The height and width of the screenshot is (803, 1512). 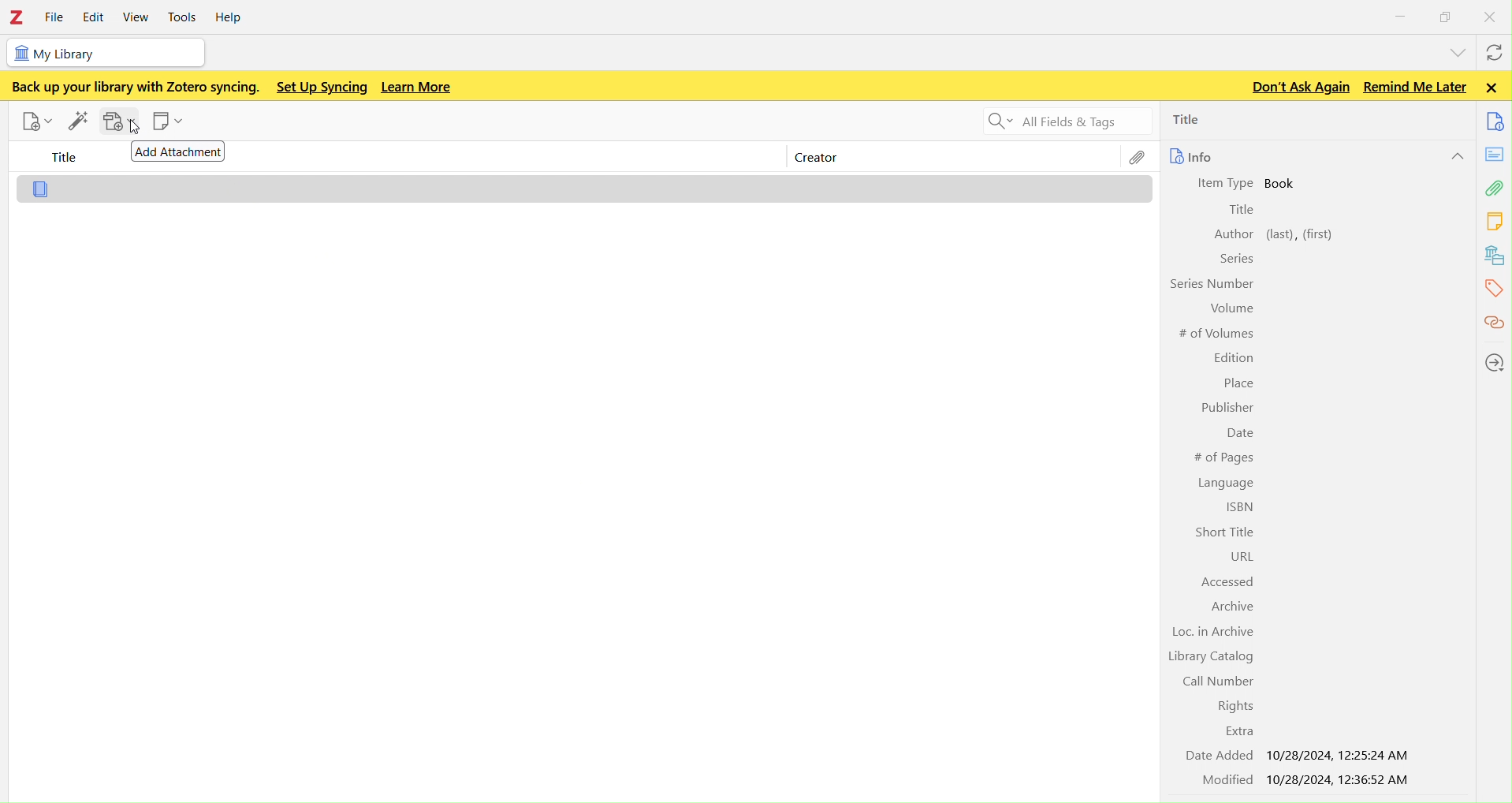 What do you see at coordinates (833, 159) in the screenshot?
I see `creator` at bounding box center [833, 159].